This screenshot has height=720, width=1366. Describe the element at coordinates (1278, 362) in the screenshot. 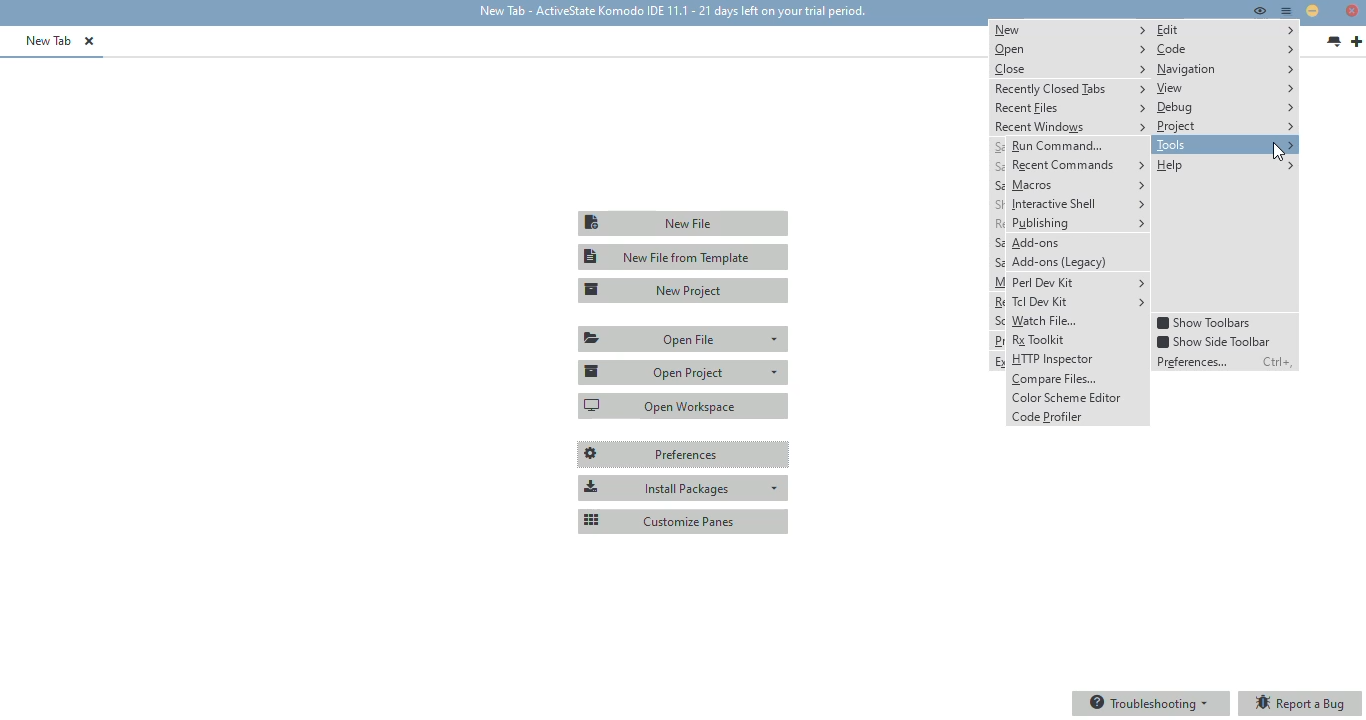

I see `shortcut for preferences` at that location.